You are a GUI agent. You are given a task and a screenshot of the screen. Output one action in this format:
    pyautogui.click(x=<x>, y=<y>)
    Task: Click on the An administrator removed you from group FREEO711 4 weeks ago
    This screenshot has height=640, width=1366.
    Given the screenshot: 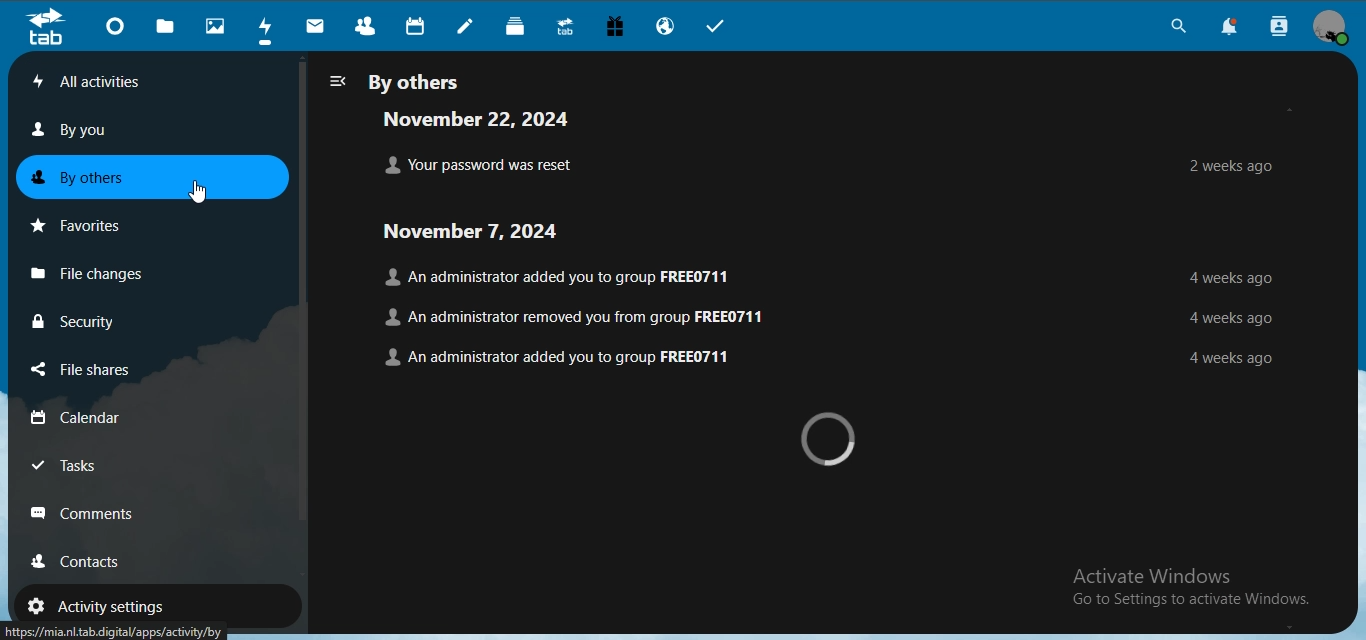 What is the action you would take?
    pyautogui.click(x=829, y=315)
    